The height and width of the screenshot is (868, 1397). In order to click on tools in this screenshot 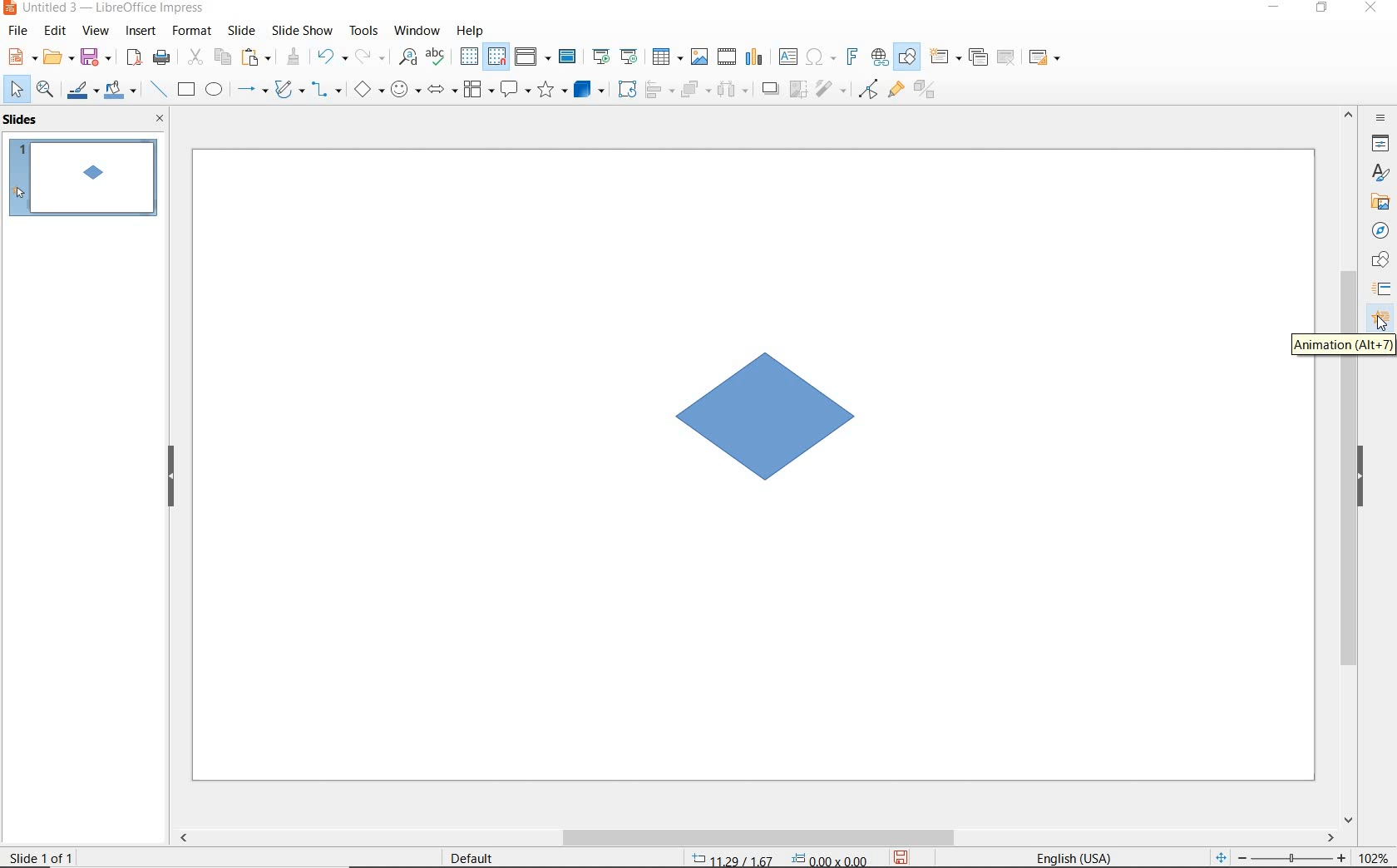, I will do `click(365, 32)`.